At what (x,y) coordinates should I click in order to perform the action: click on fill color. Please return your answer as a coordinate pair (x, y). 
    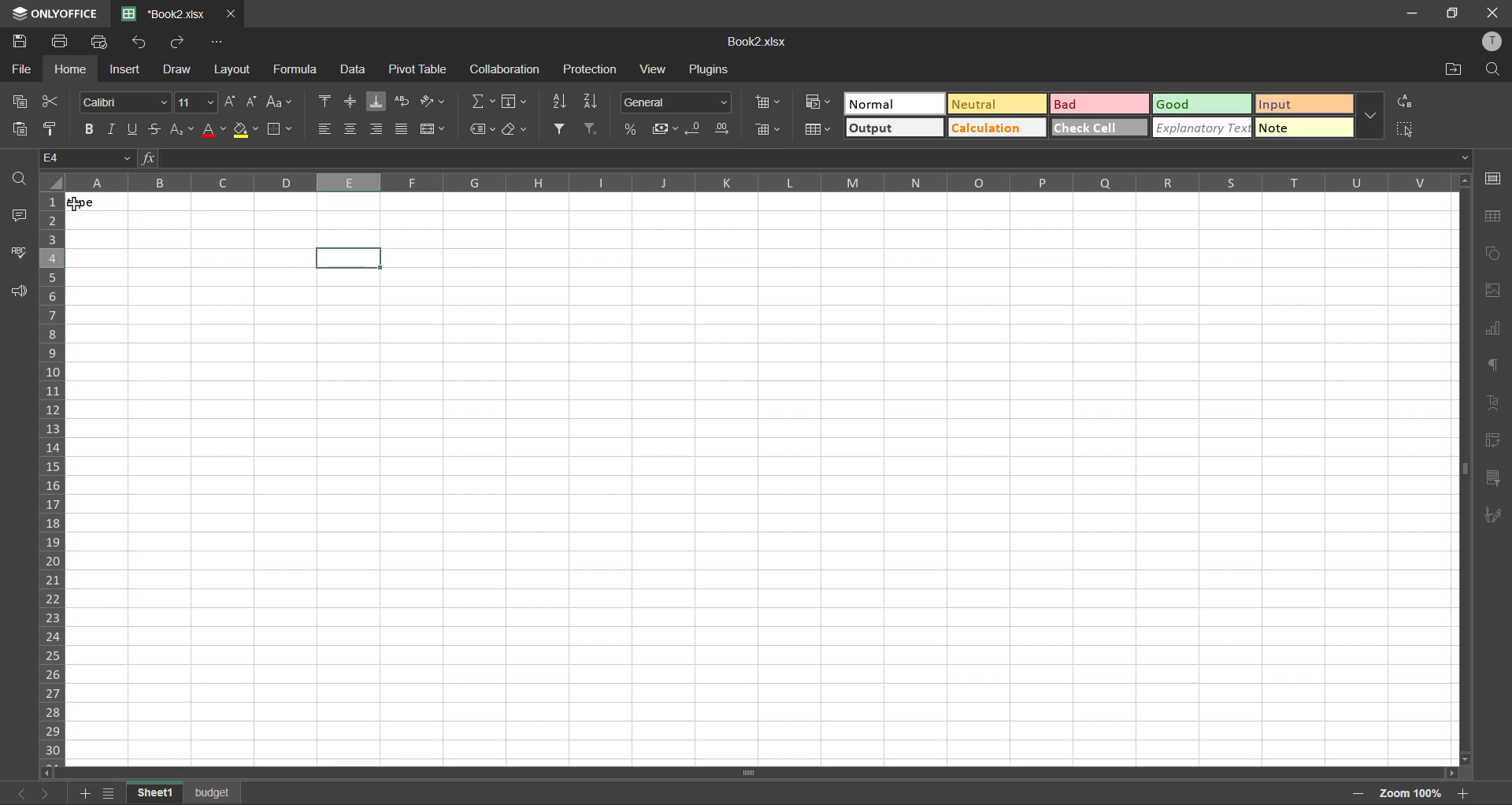
    Looking at the image, I should click on (246, 129).